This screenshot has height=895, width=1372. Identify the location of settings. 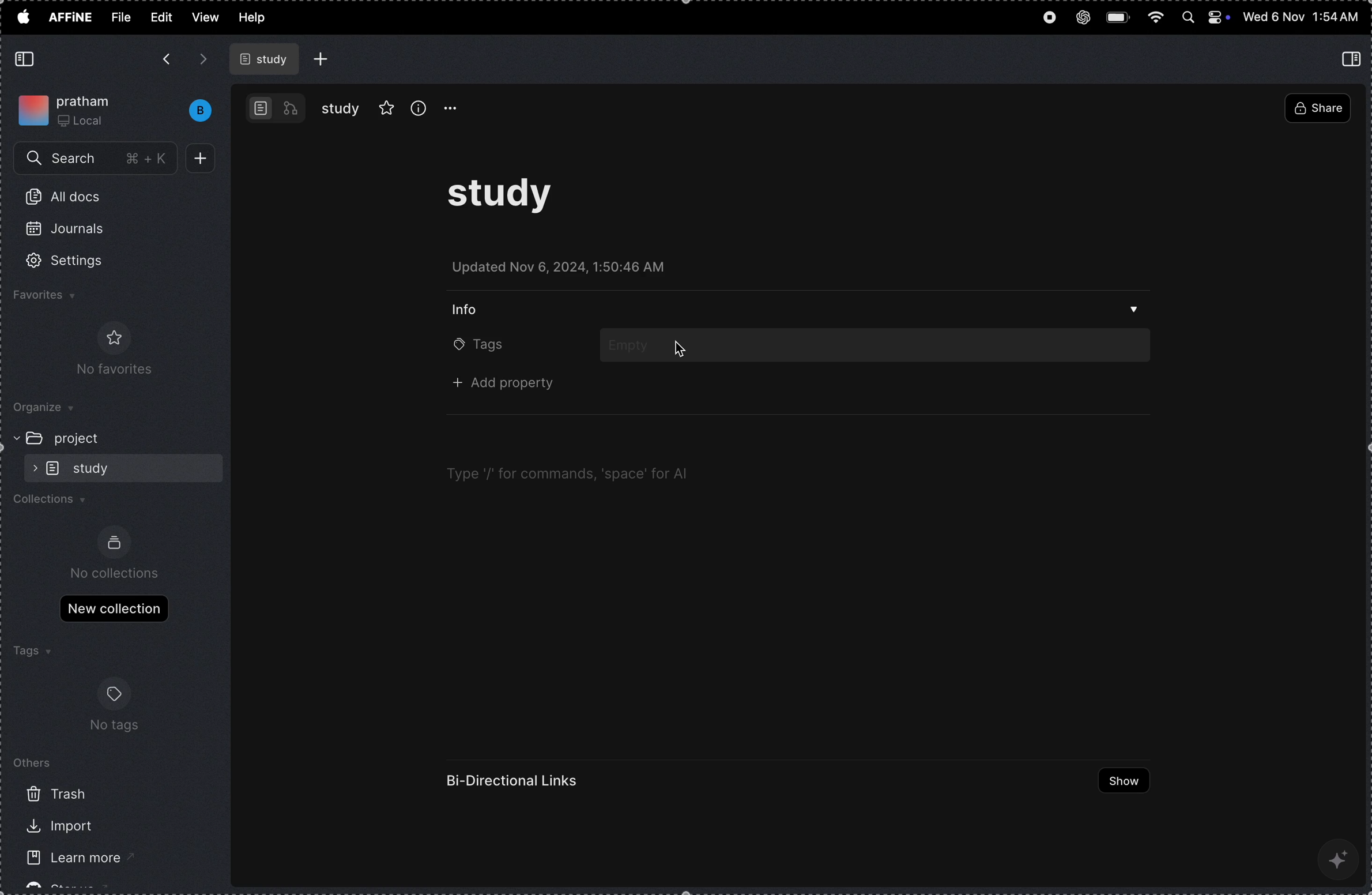
(80, 261).